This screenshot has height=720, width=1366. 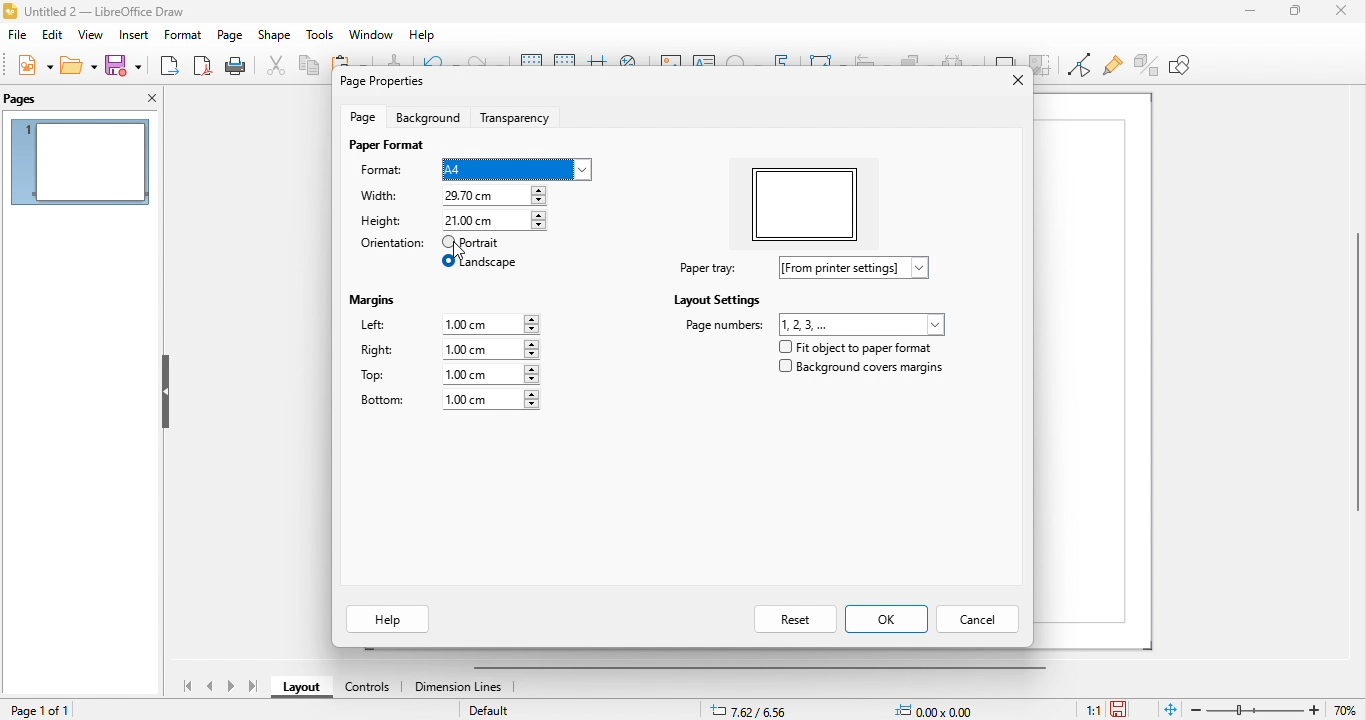 I want to click on toggle point edit mode, so click(x=1077, y=65).